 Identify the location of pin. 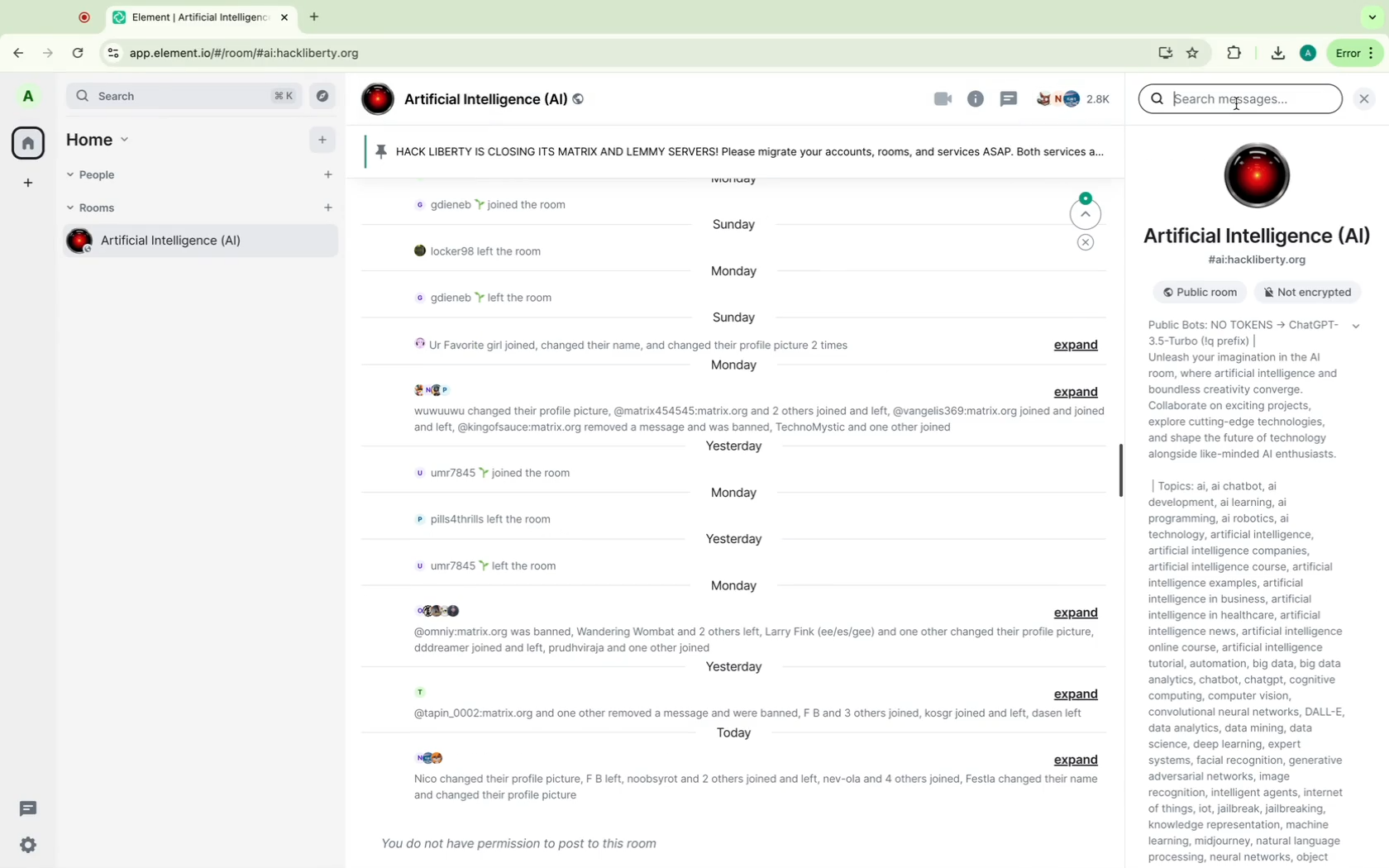
(739, 153).